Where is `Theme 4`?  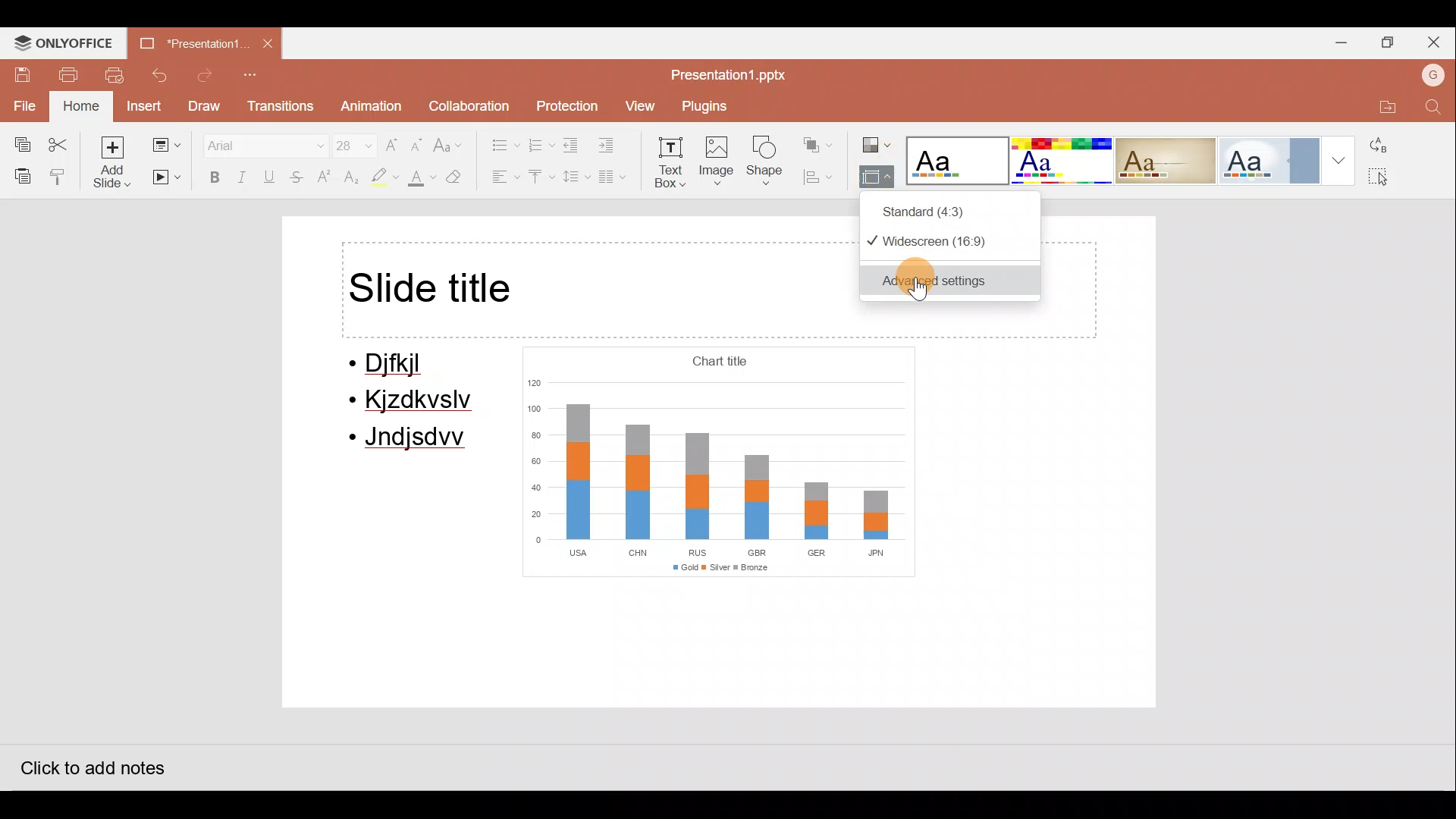
Theme 4 is located at coordinates (1273, 160).